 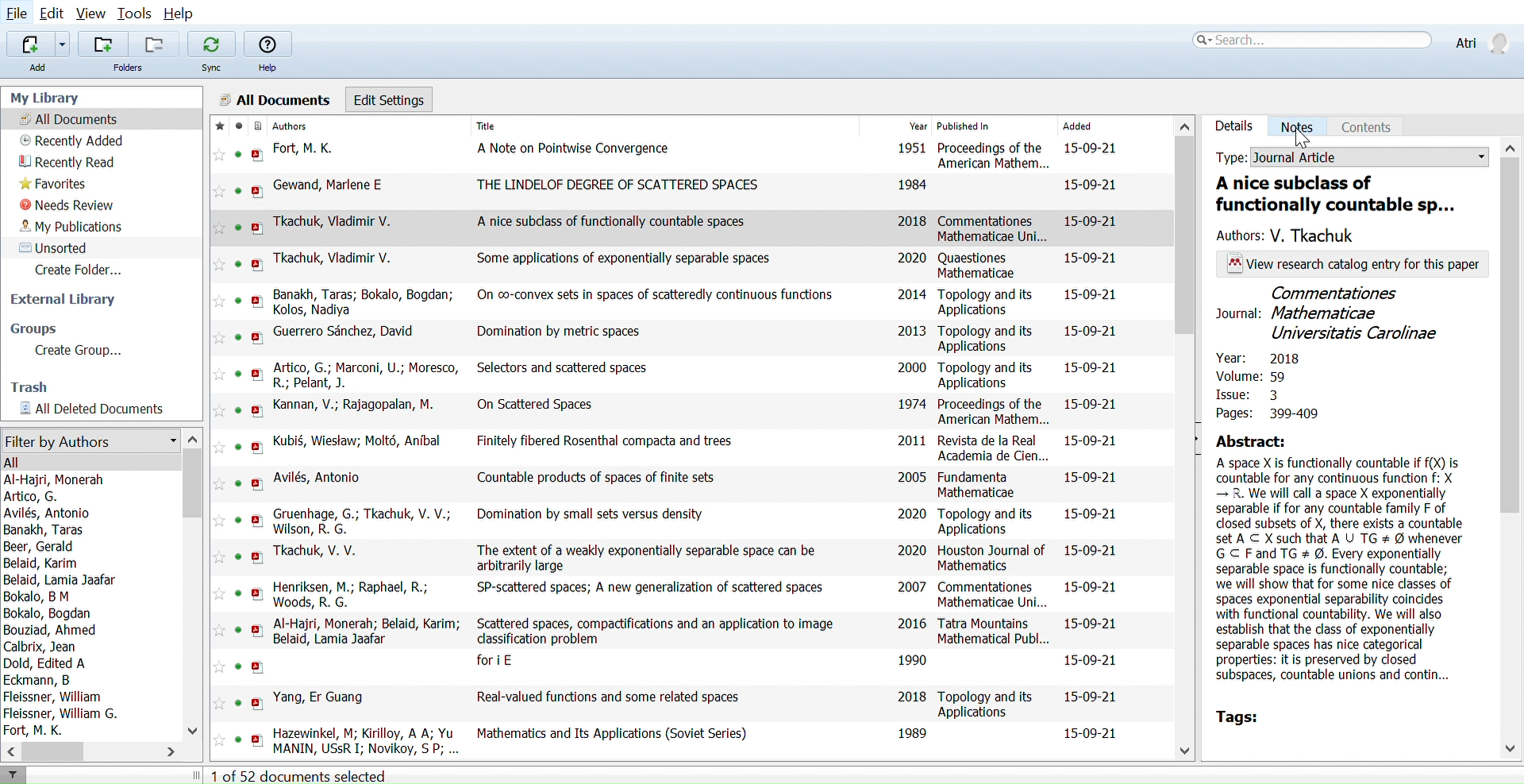 I want to click on All, so click(x=14, y=463).